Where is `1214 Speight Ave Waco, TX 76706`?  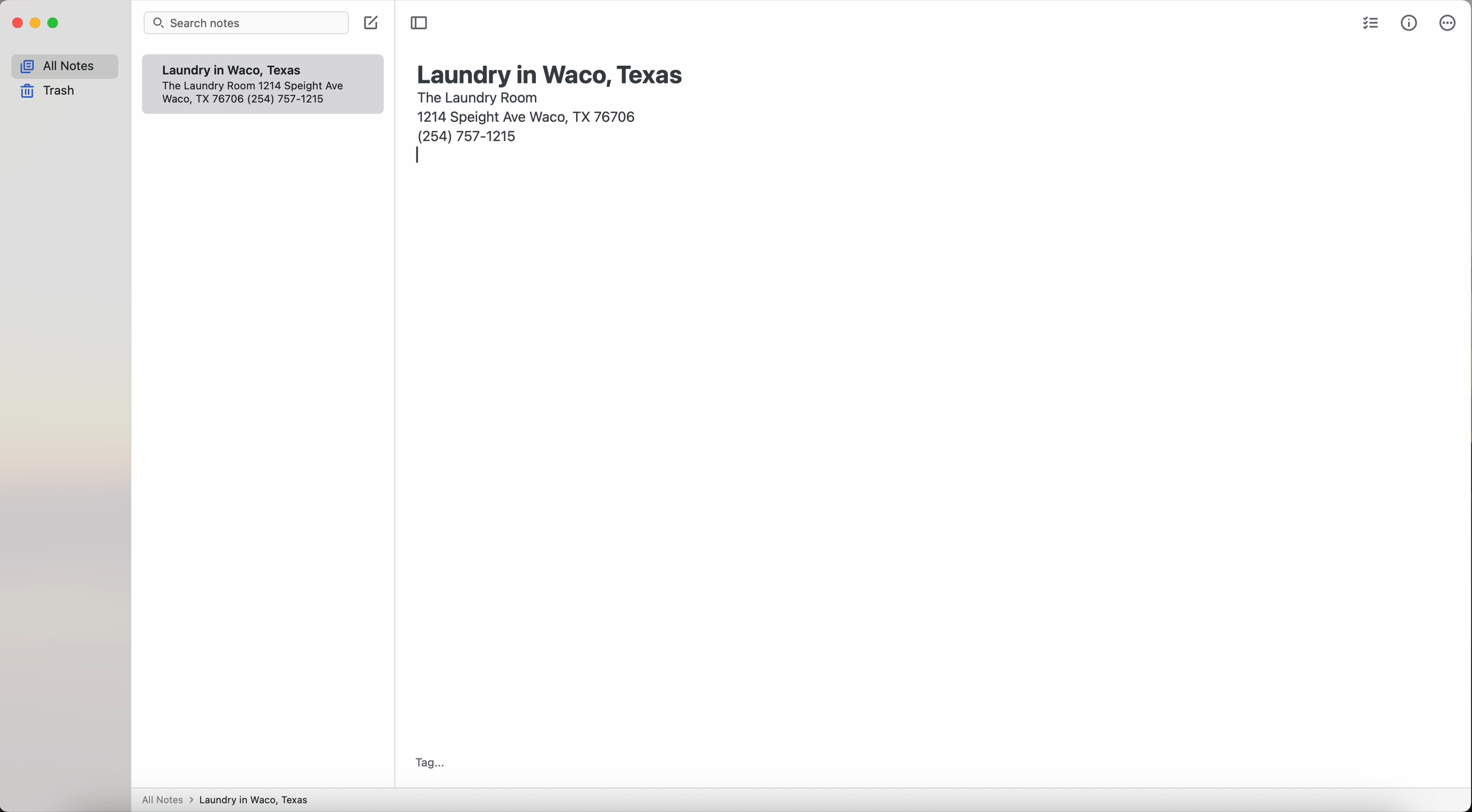
1214 Speight Ave Waco, TX 76706 is located at coordinates (261, 94).